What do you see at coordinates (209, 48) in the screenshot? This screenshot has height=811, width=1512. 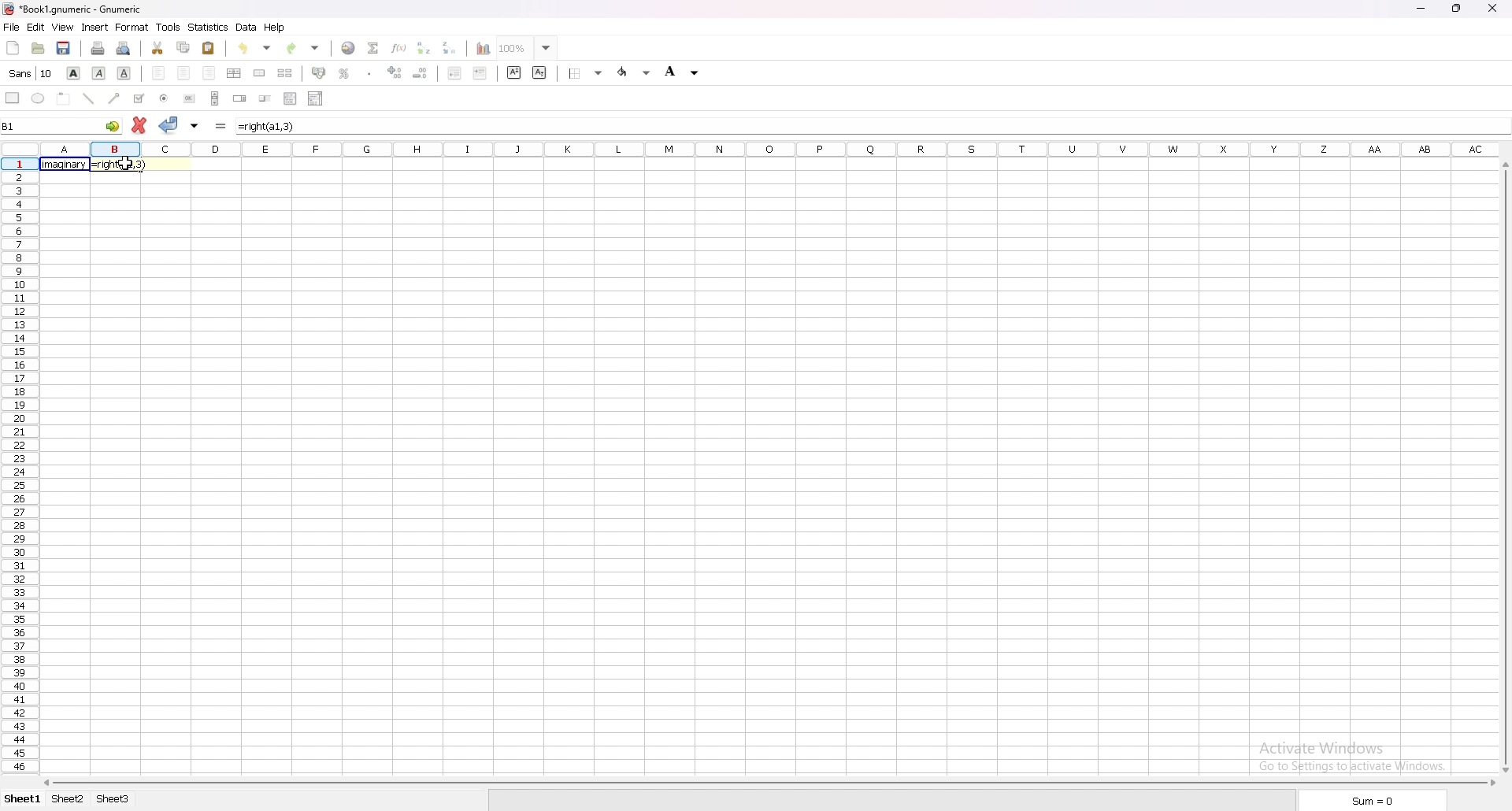 I see `paste` at bounding box center [209, 48].